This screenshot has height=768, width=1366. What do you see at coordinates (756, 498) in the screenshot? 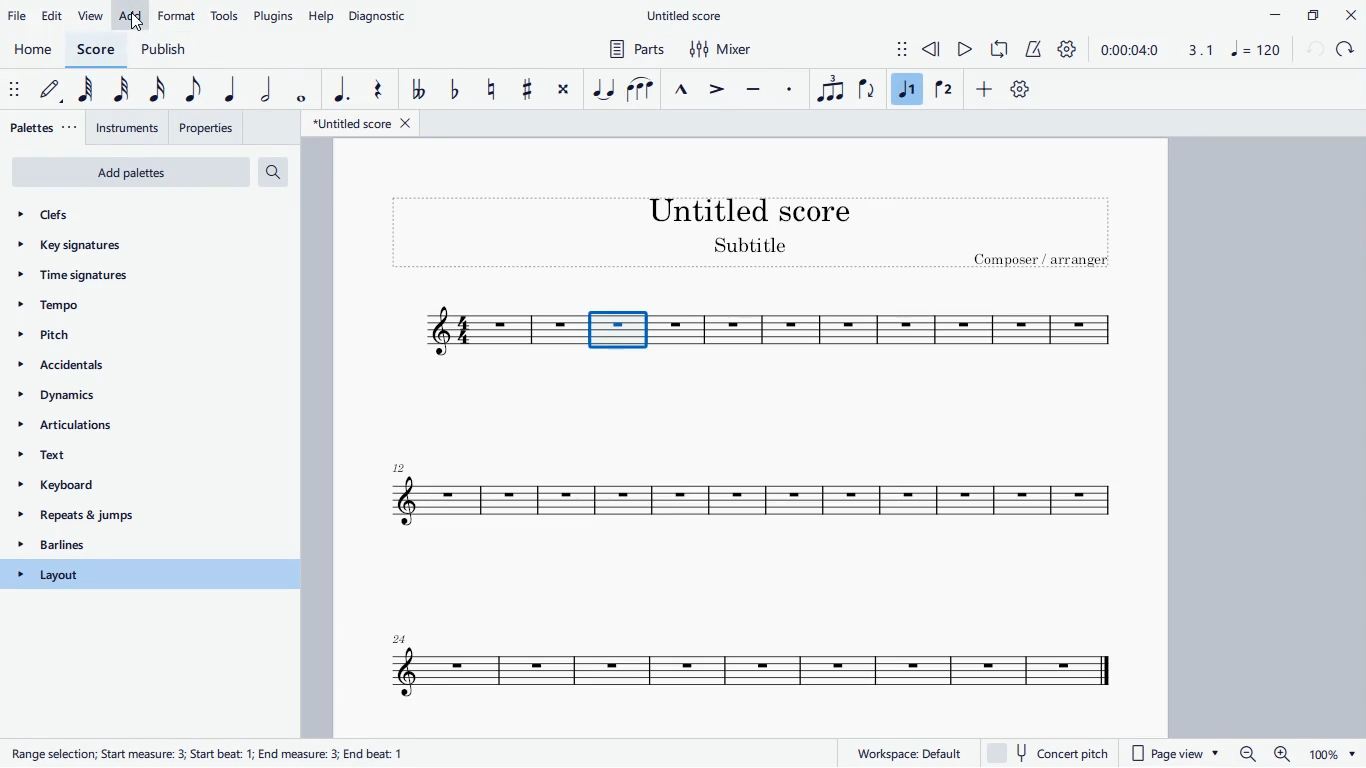
I see `score` at bounding box center [756, 498].